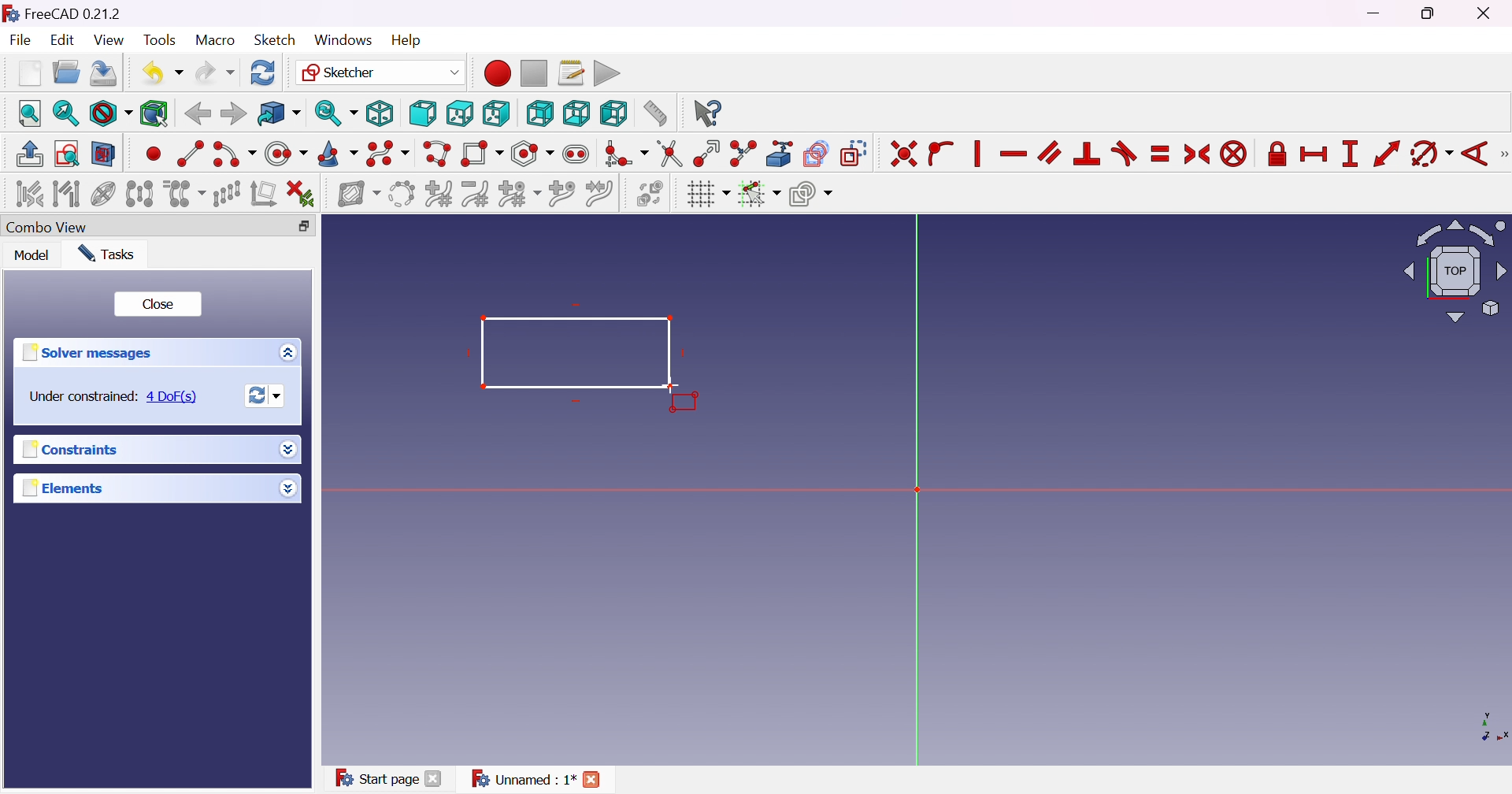  Describe the element at coordinates (262, 193) in the screenshot. I see `Remove axis alignment` at that location.